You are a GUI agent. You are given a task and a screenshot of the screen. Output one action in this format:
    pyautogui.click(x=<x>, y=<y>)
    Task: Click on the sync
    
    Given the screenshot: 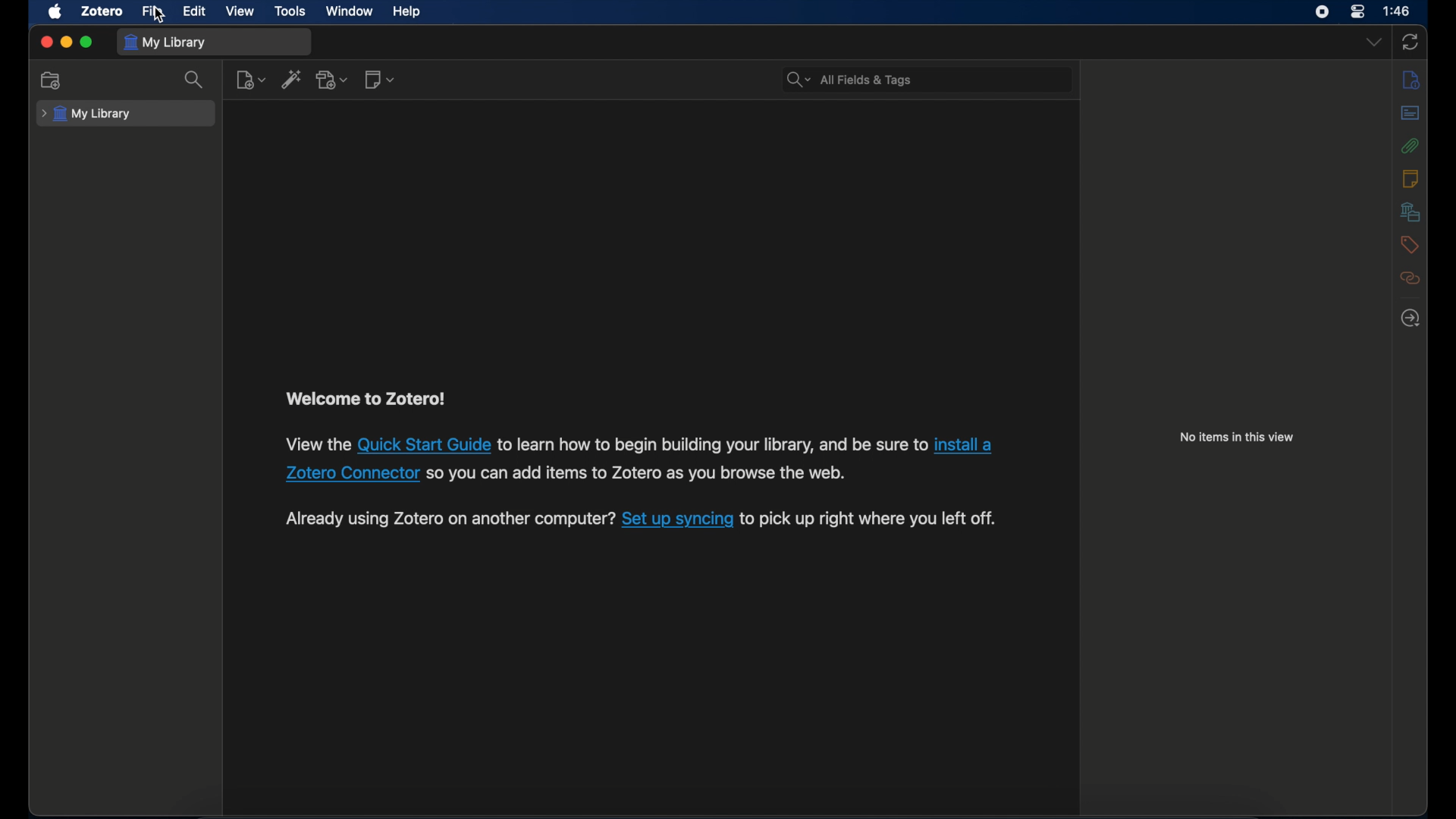 What is the action you would take?
    pyautogui.click(x=1411, y=42)
    